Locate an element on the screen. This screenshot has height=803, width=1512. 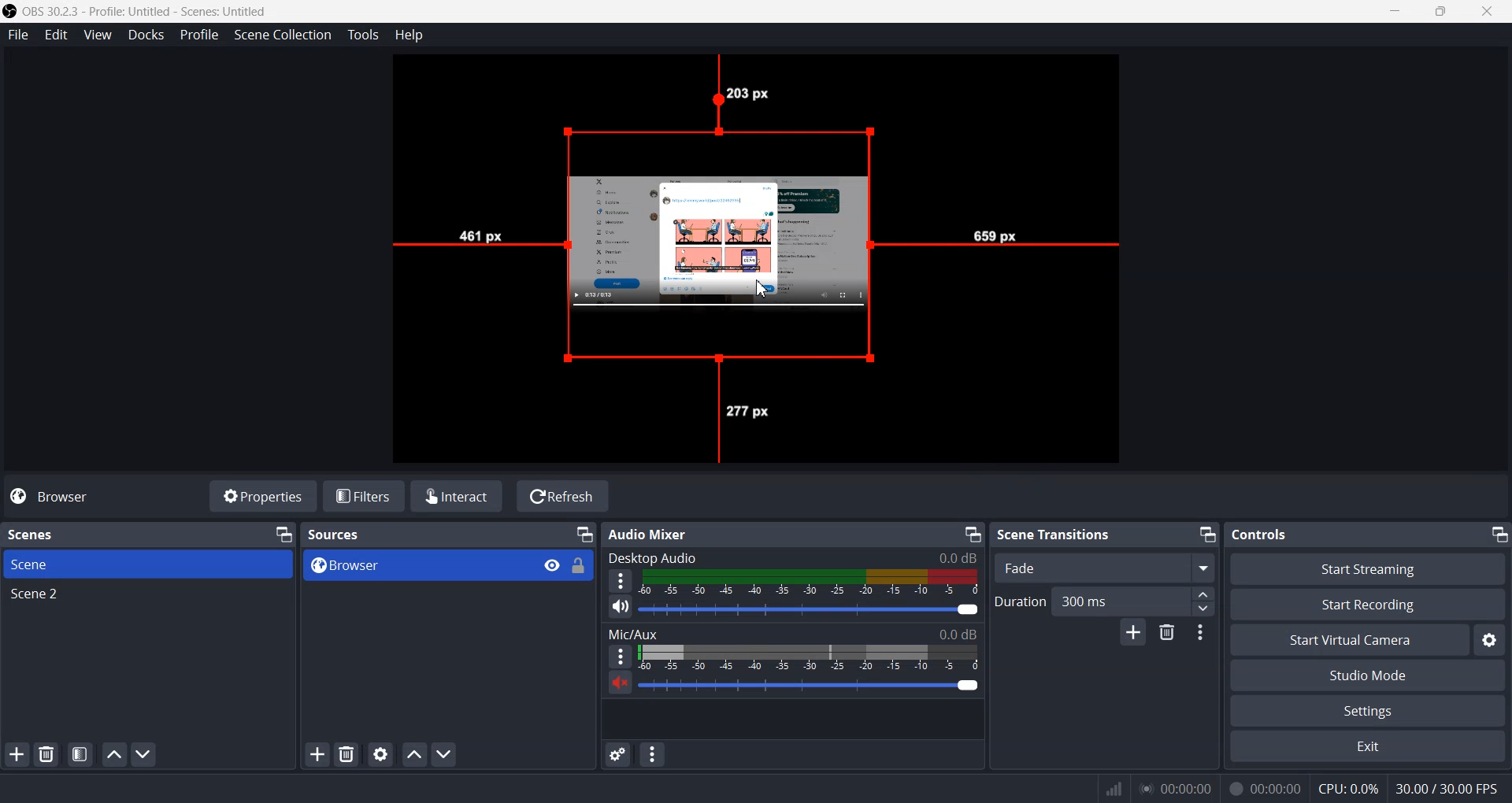
Interact is located at coordinates (458, 495).